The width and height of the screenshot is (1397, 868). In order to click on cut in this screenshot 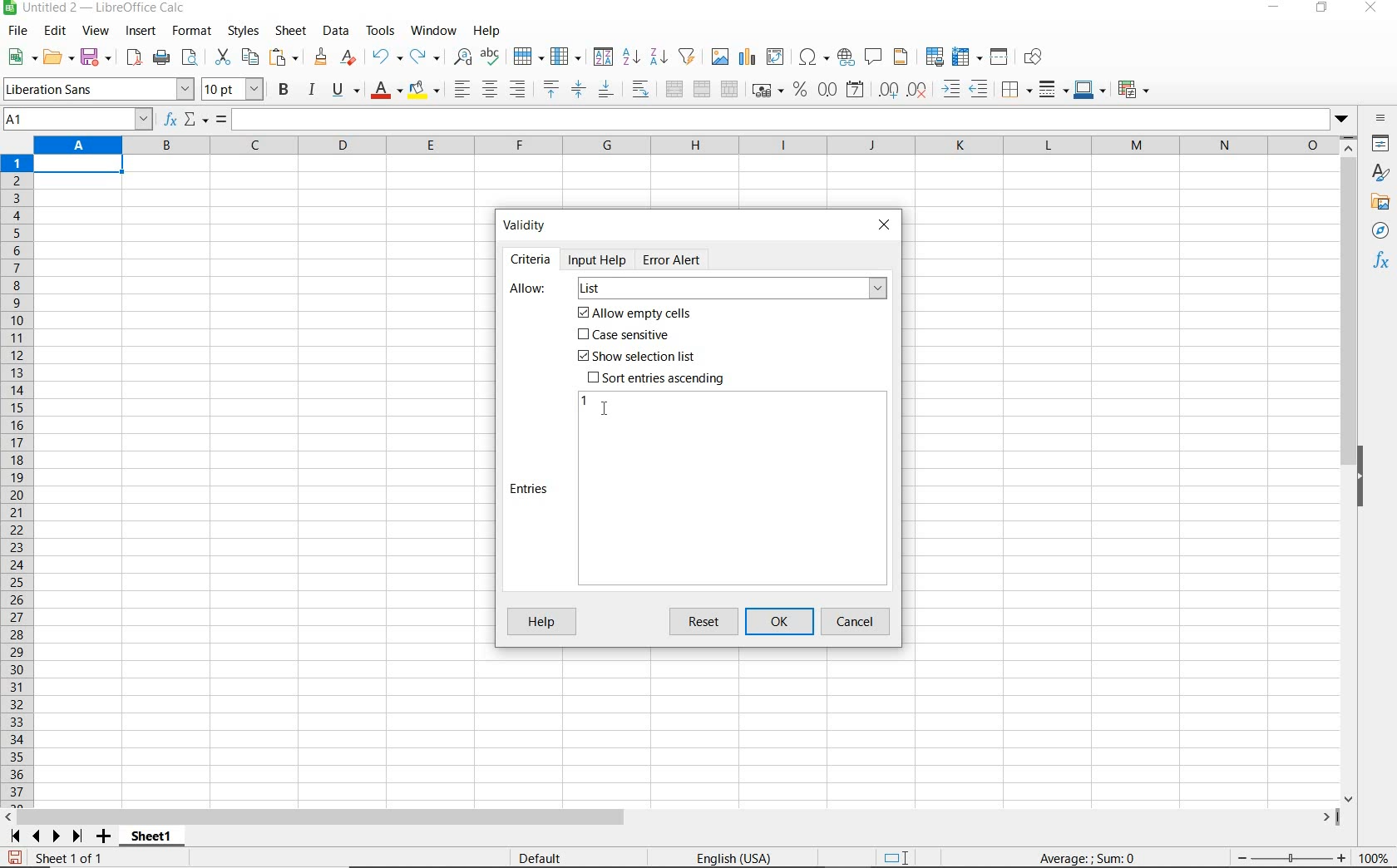, I will do `click(222, 57)`.